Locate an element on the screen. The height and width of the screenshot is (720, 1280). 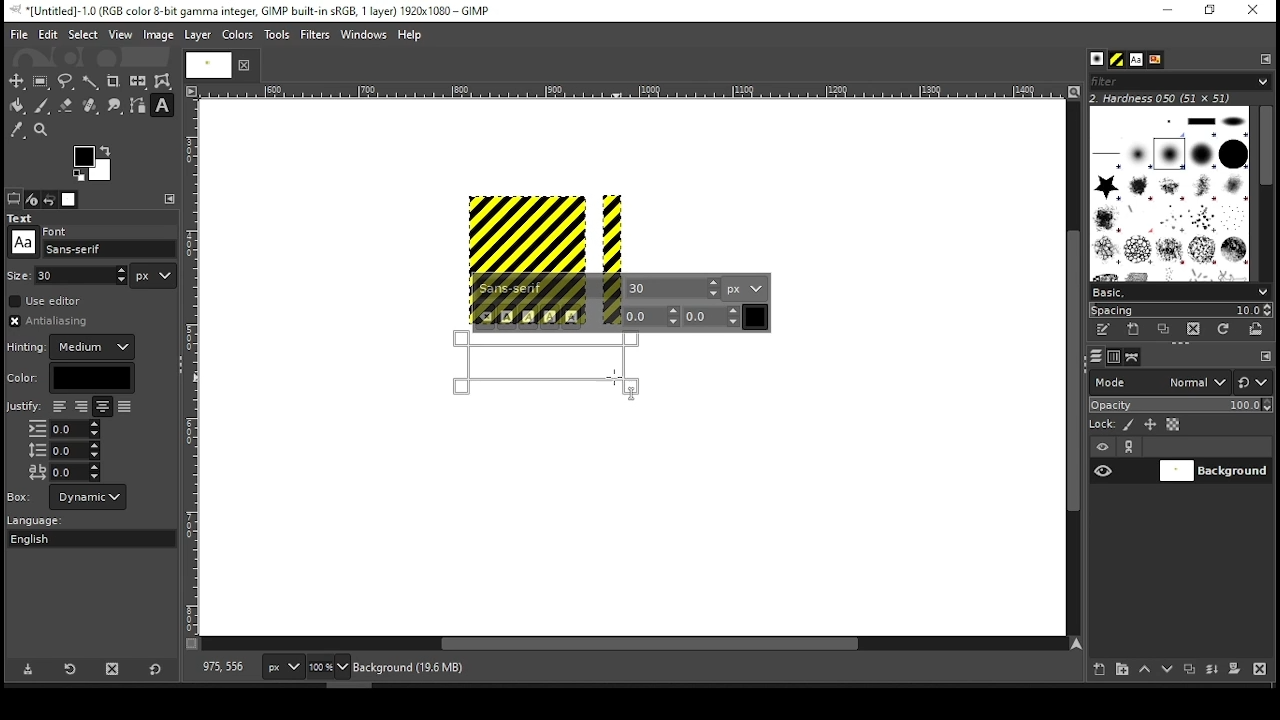
create a new brush is located at coordinates (1136, 329).